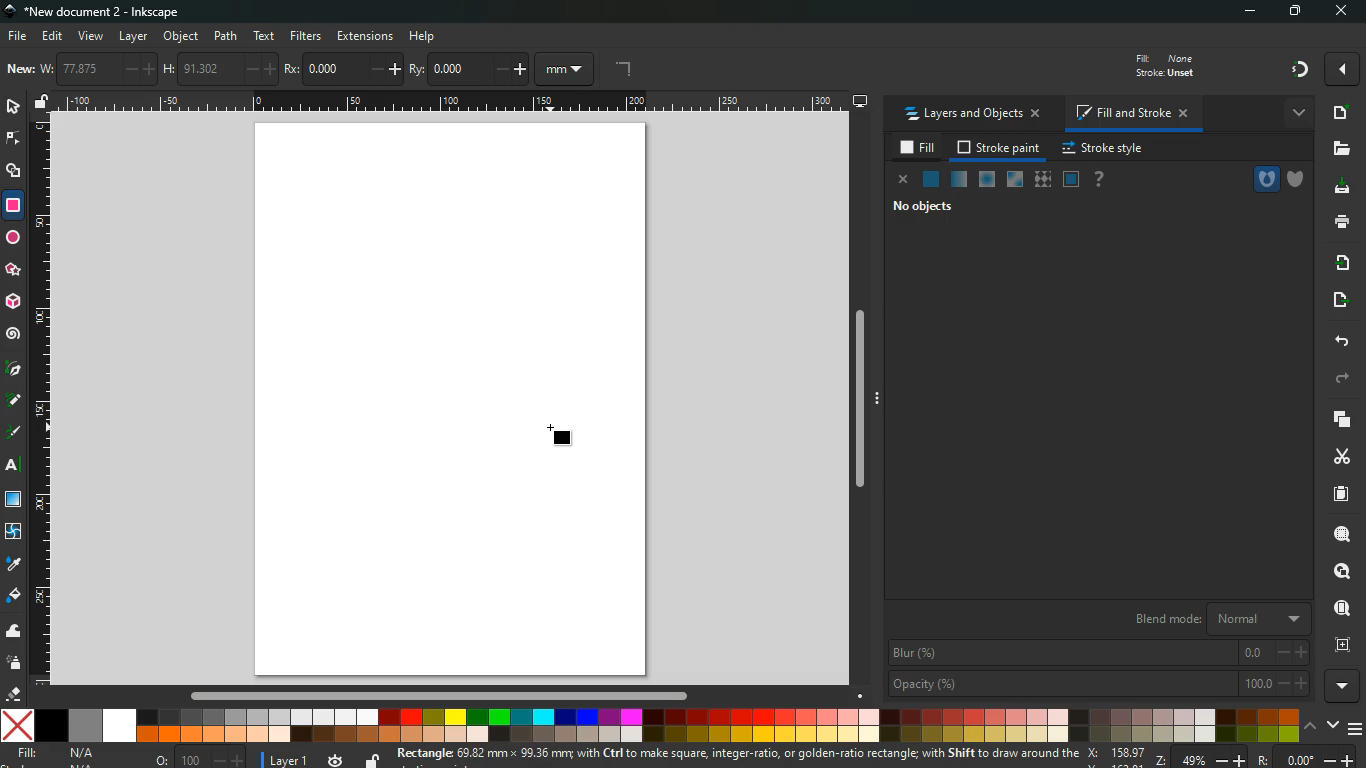 The height and width of the screenshot is (768, 1366). I want to click on edit, so click(53, 36).